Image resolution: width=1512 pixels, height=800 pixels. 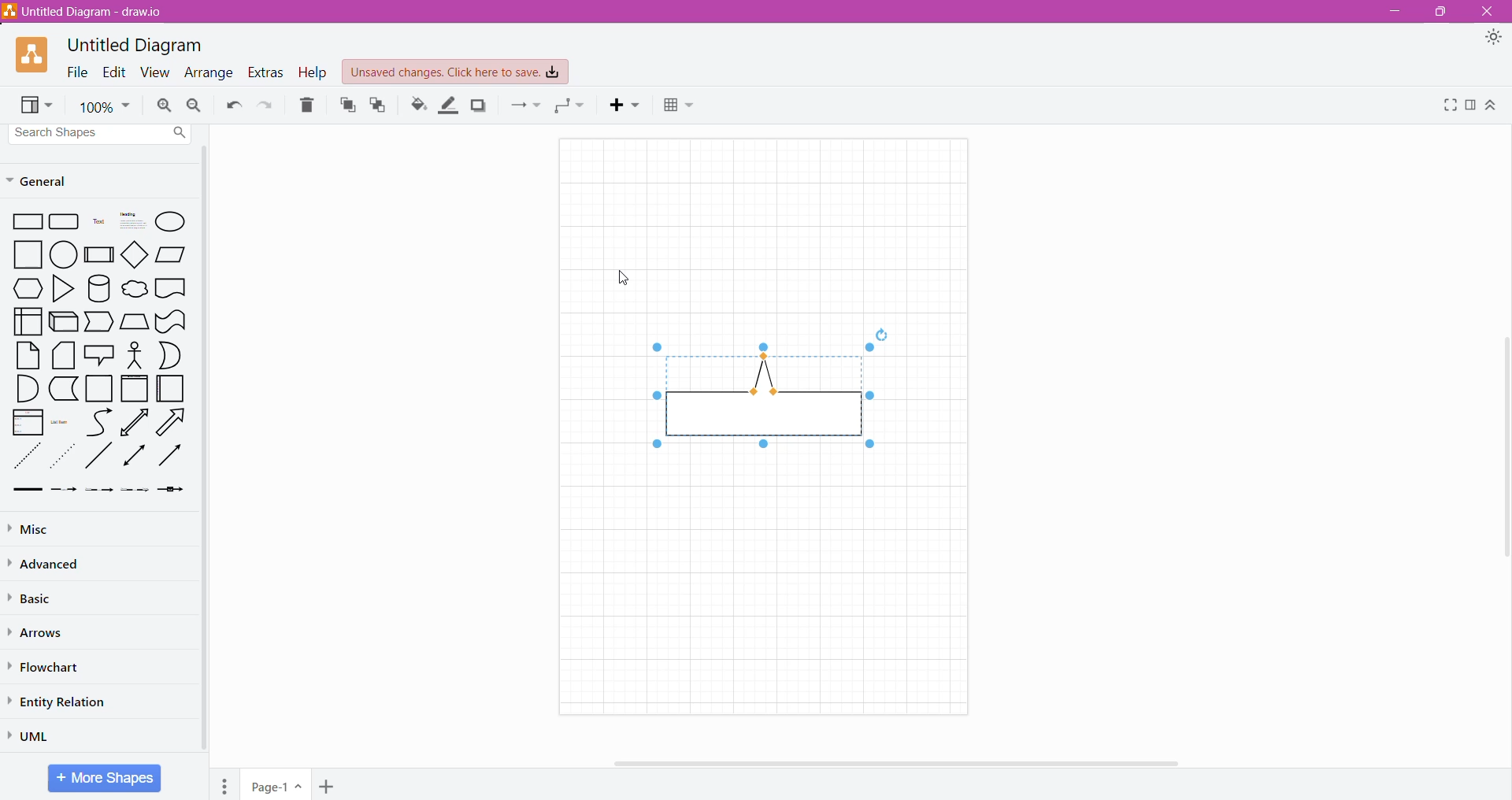 I want to click on Stacked Papers, so click(x=64, y=356).